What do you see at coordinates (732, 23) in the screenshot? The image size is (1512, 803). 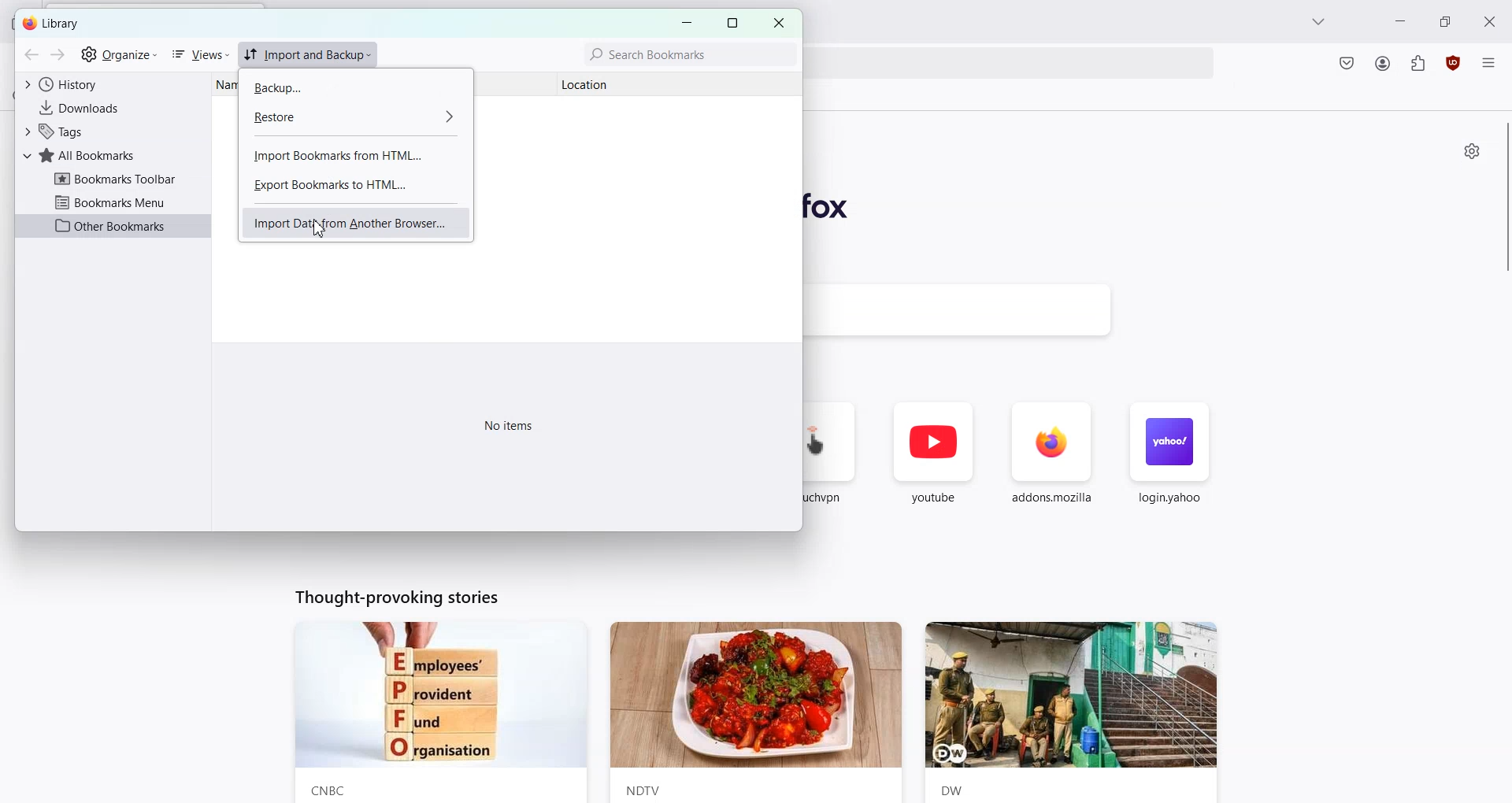 I see `Maximize` at bounding box center [732, 23].